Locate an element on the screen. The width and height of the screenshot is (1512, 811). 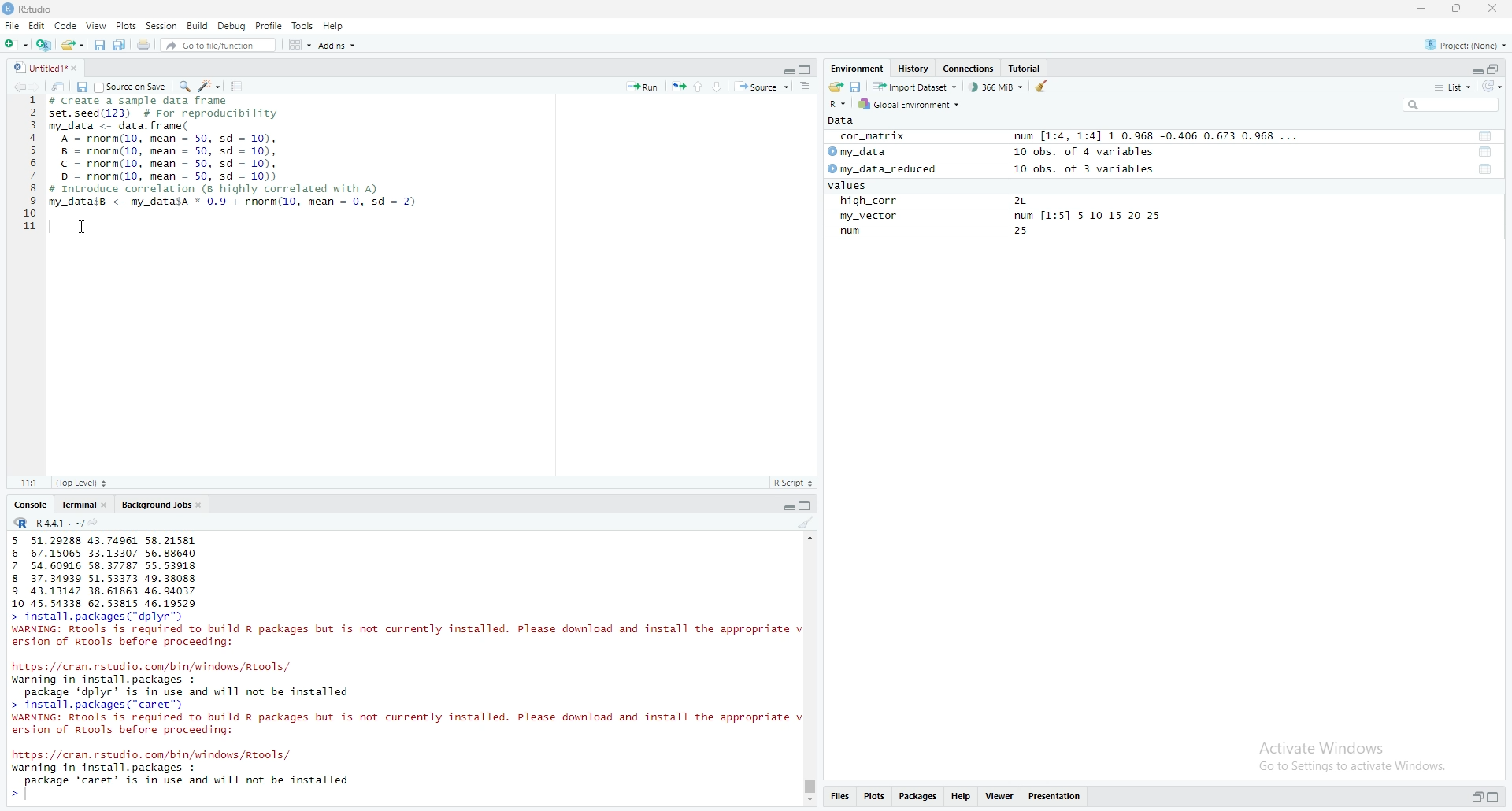
Debug is located at coordinates (233, 26).